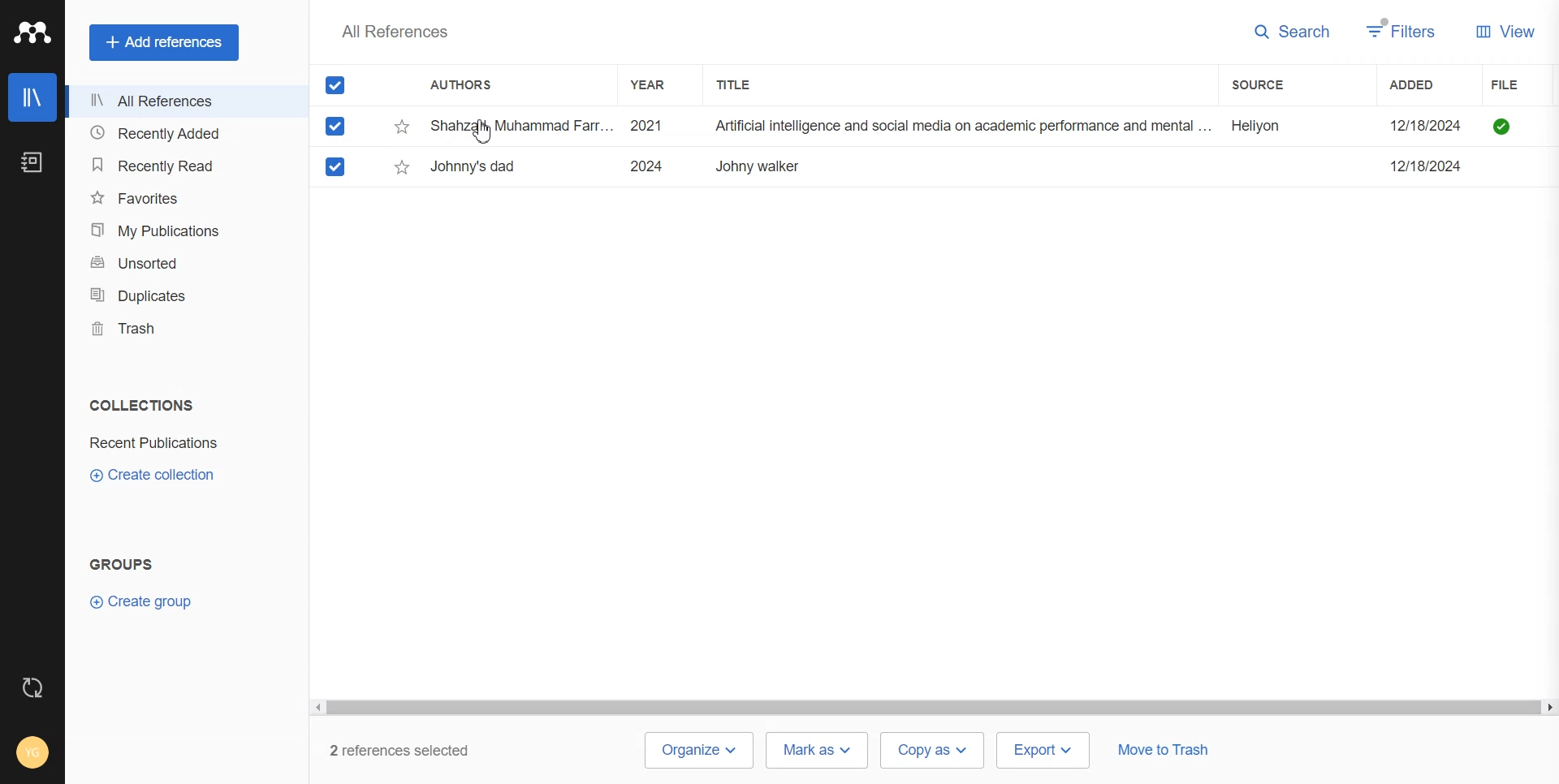 This screenshot has width=1559, height=784. What do you see at coordinates (33, 687) in the screenshot?
I see `Auto Sync` at bounding box center [33, 687].